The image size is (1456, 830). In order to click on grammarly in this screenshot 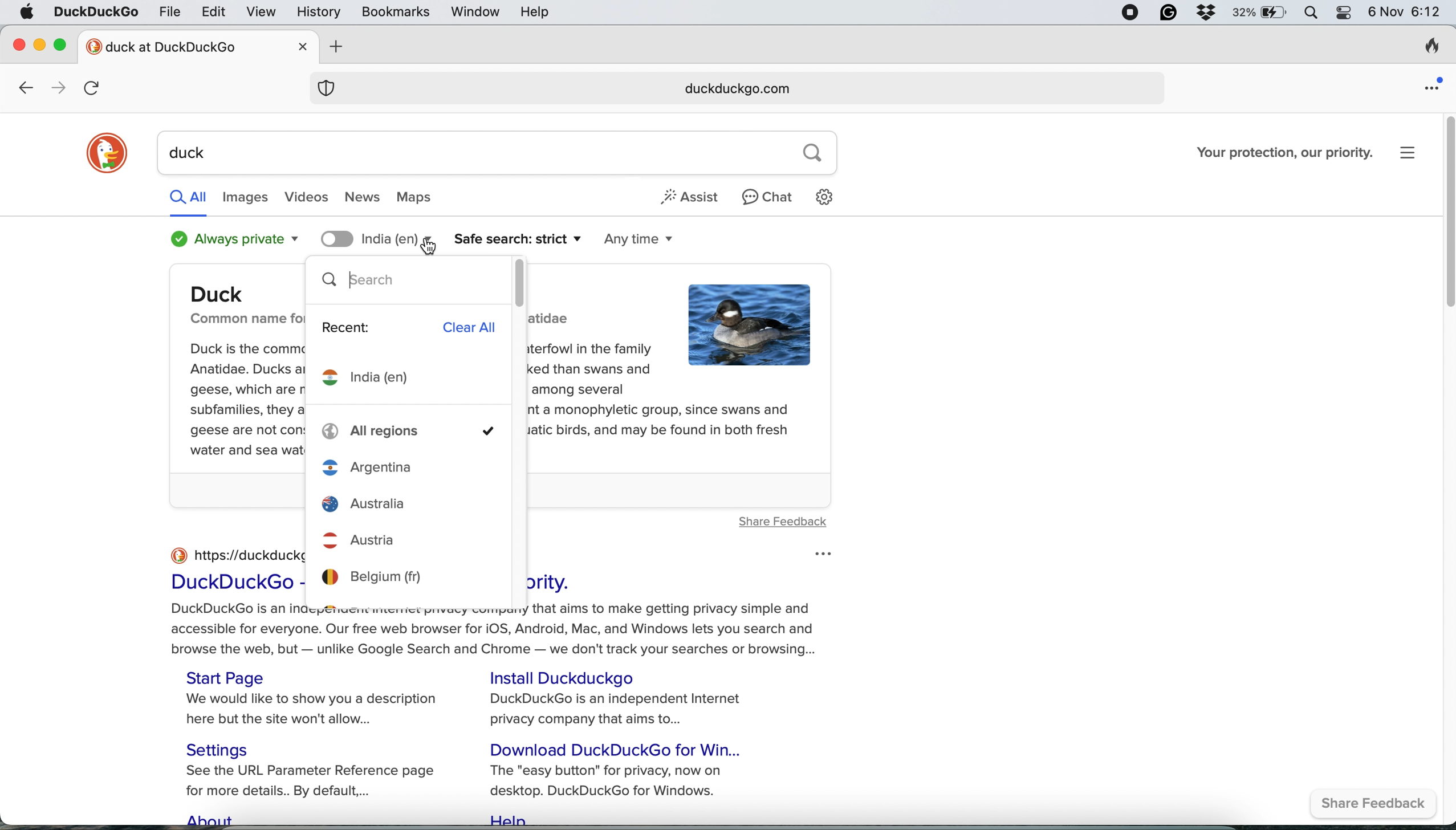, I will do `click(1167, 13)`.